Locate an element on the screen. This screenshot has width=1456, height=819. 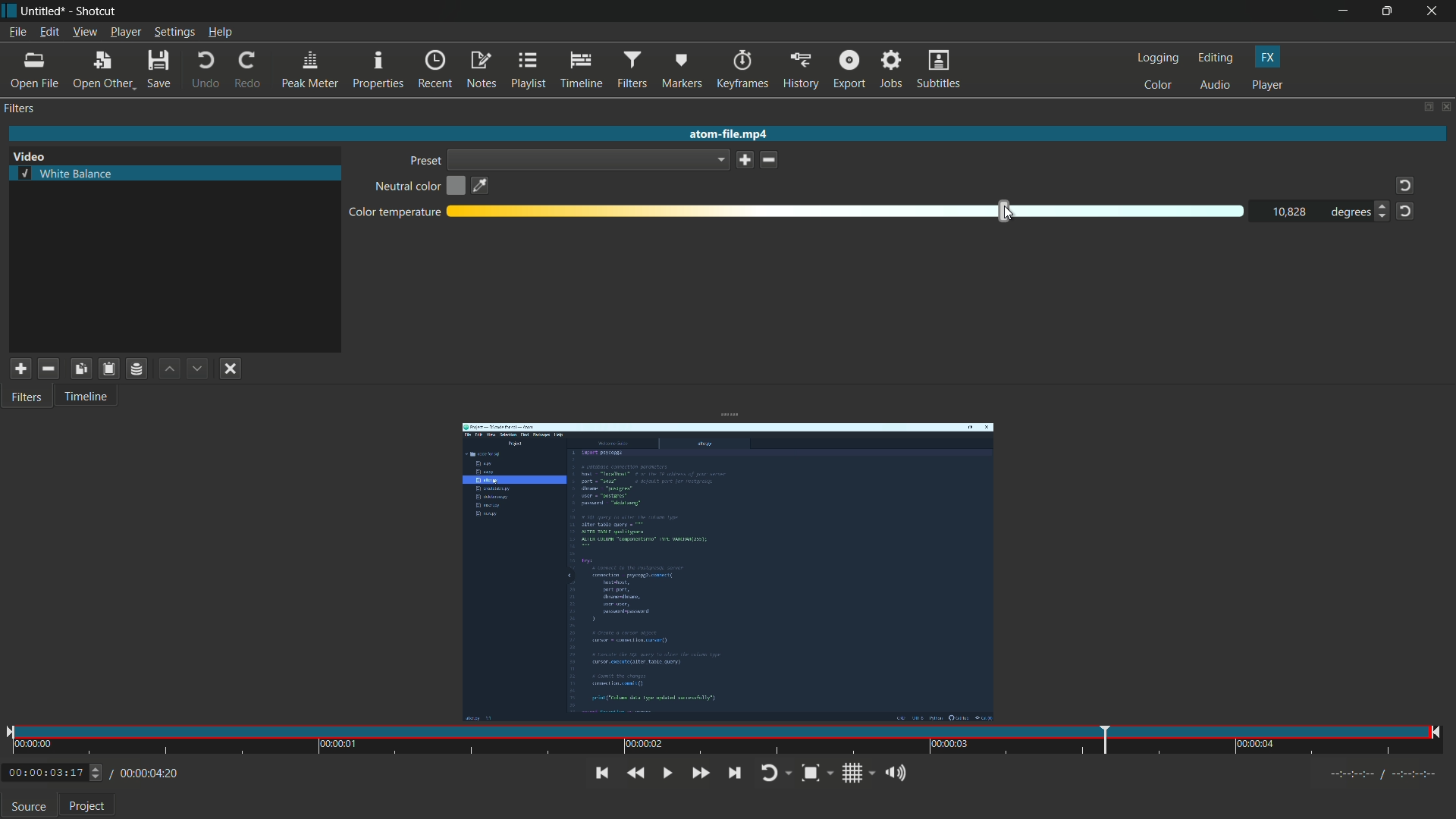
save is located at coordinates (745, 159).